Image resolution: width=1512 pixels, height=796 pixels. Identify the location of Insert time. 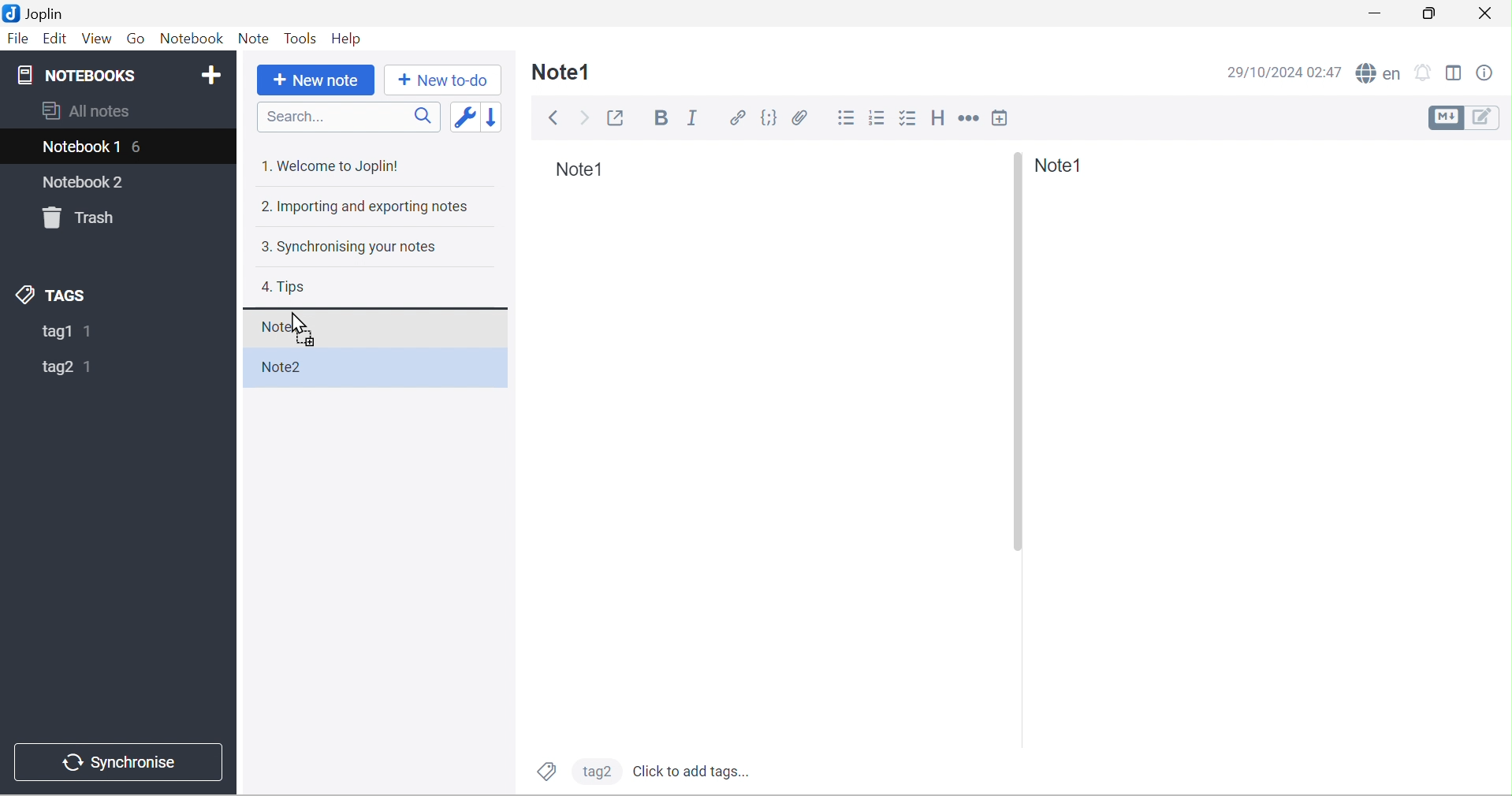
(1002, 117).